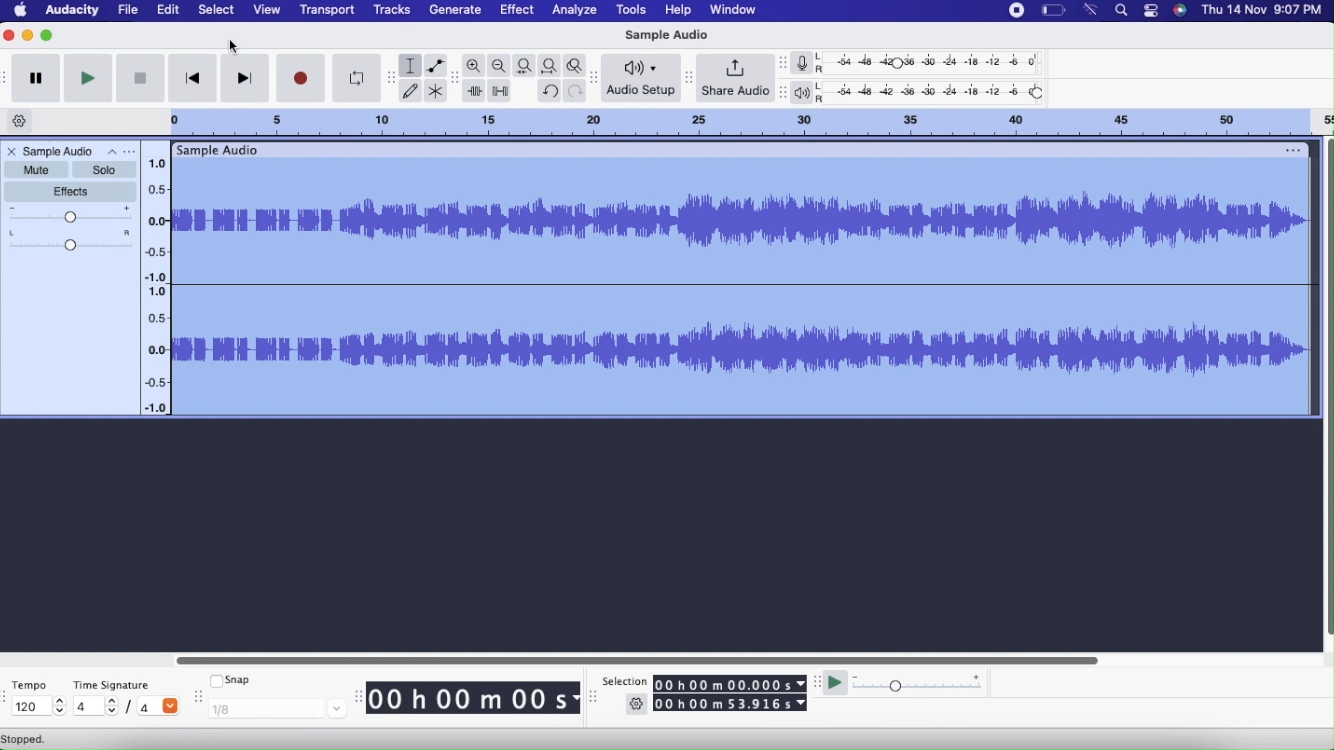 The height and width of the screenshot is (750, 1334). I want to click on Skip to end, so click(245, 80).